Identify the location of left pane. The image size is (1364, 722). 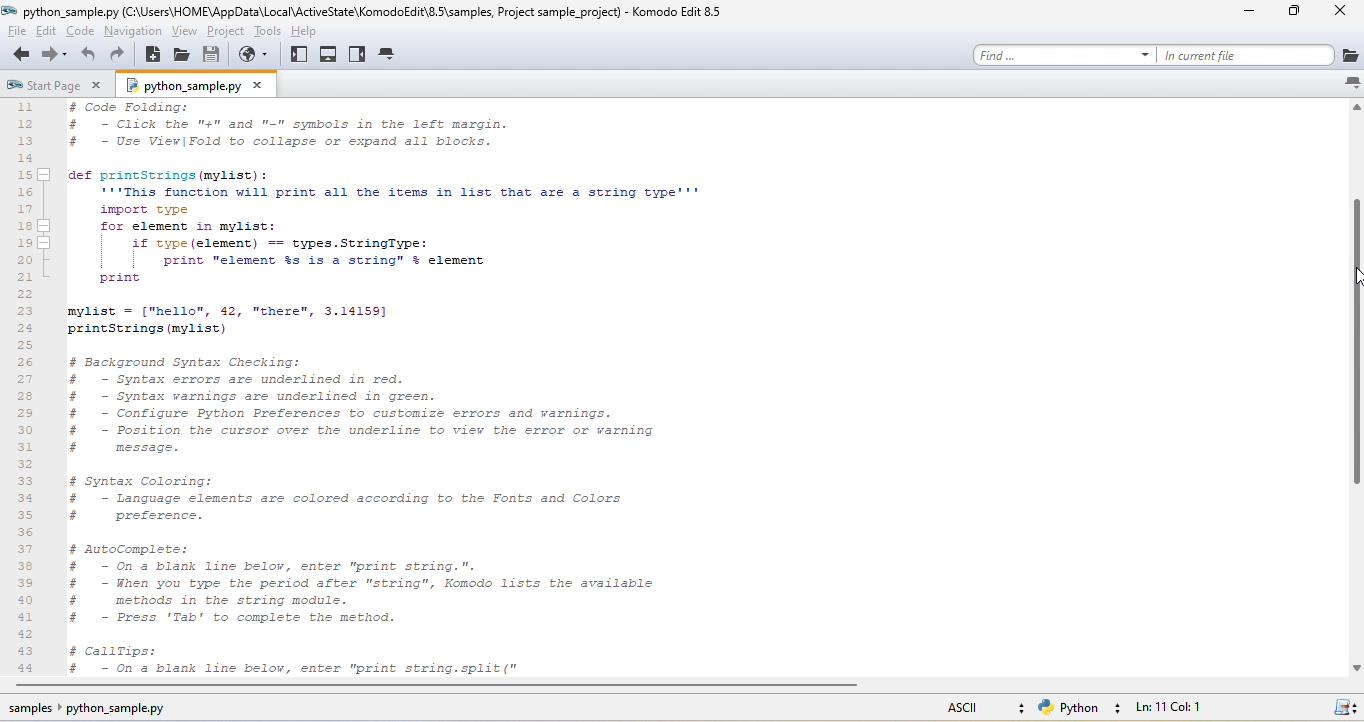
(300, 55).